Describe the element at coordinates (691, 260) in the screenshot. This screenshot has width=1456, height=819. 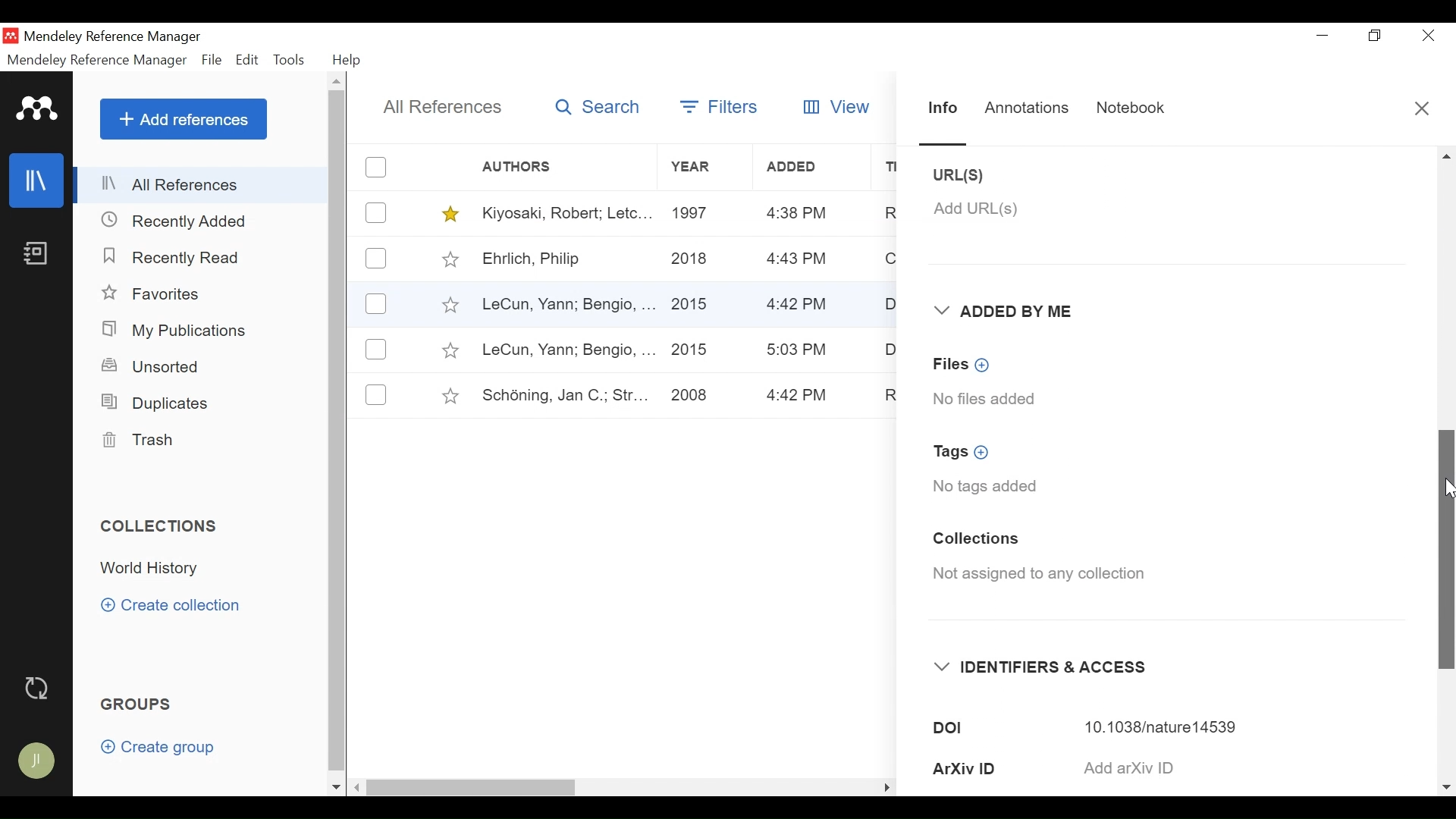
I see `2018` at that location.